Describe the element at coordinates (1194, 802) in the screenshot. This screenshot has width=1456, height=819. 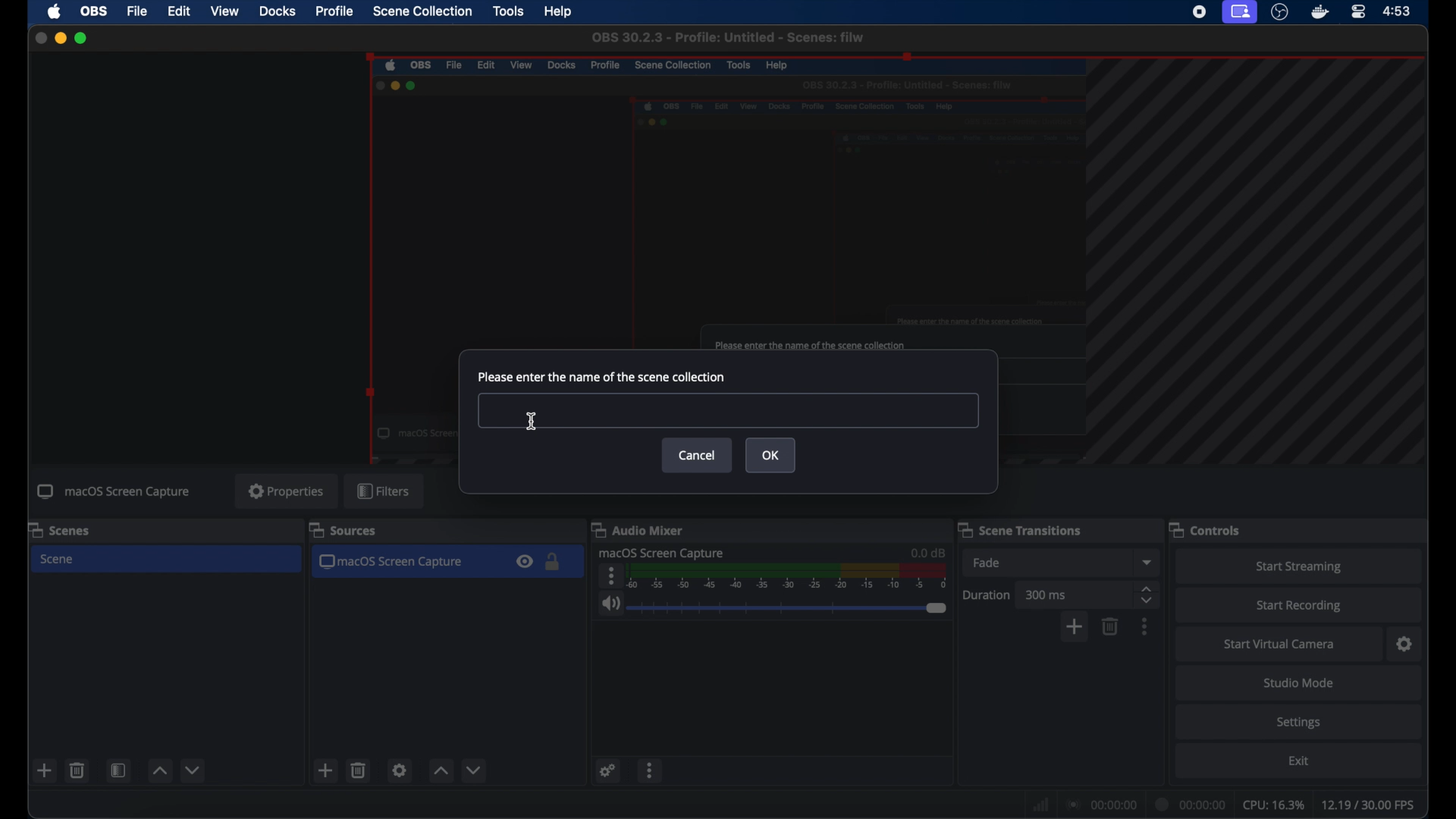
I see `current time indicator` at that location.